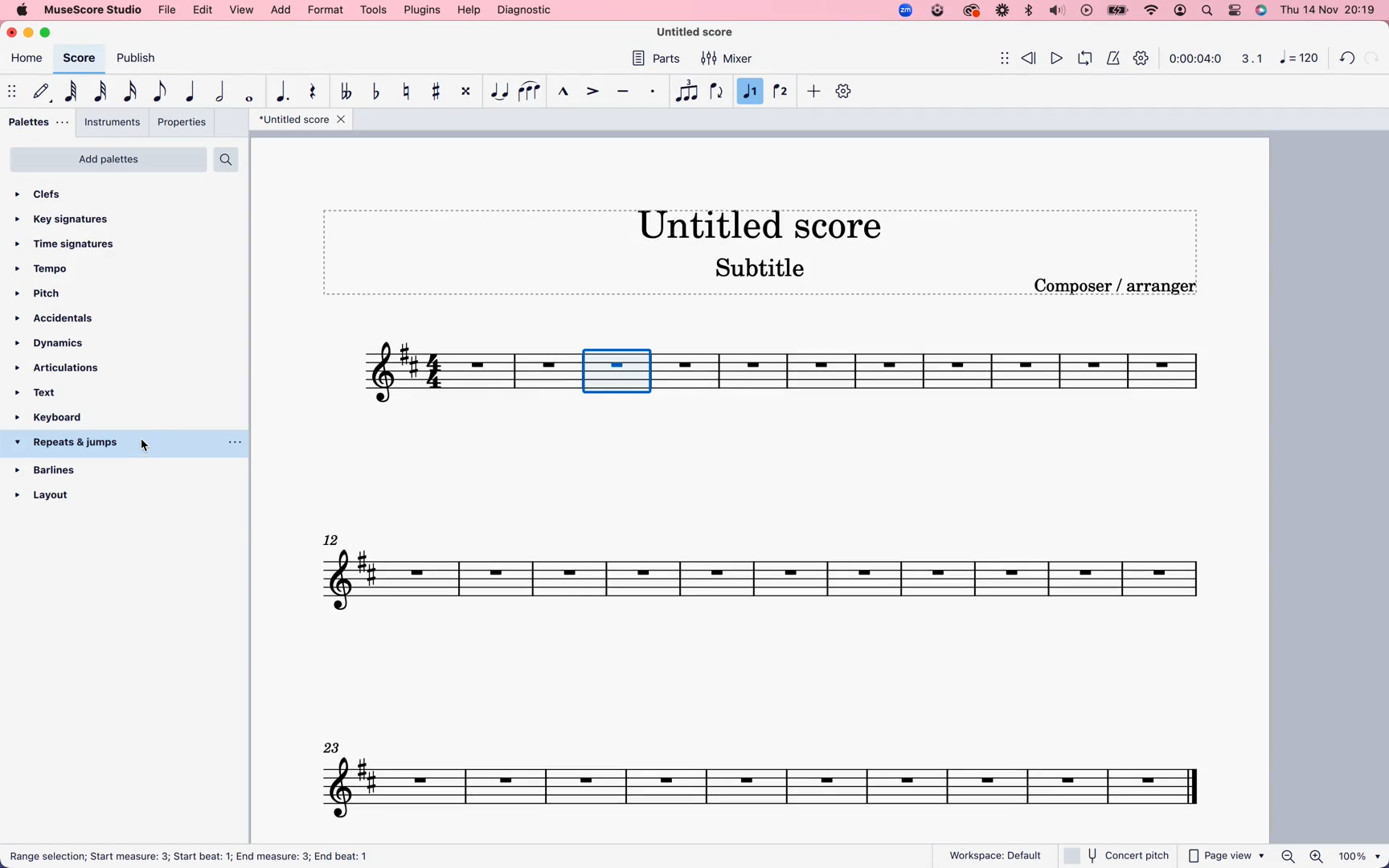 This screenshot has width=1389, height=868. What do you see at coordinates (1030, 55) in the screenshot?
I see `rewind` at bounding box center [1030, 55].